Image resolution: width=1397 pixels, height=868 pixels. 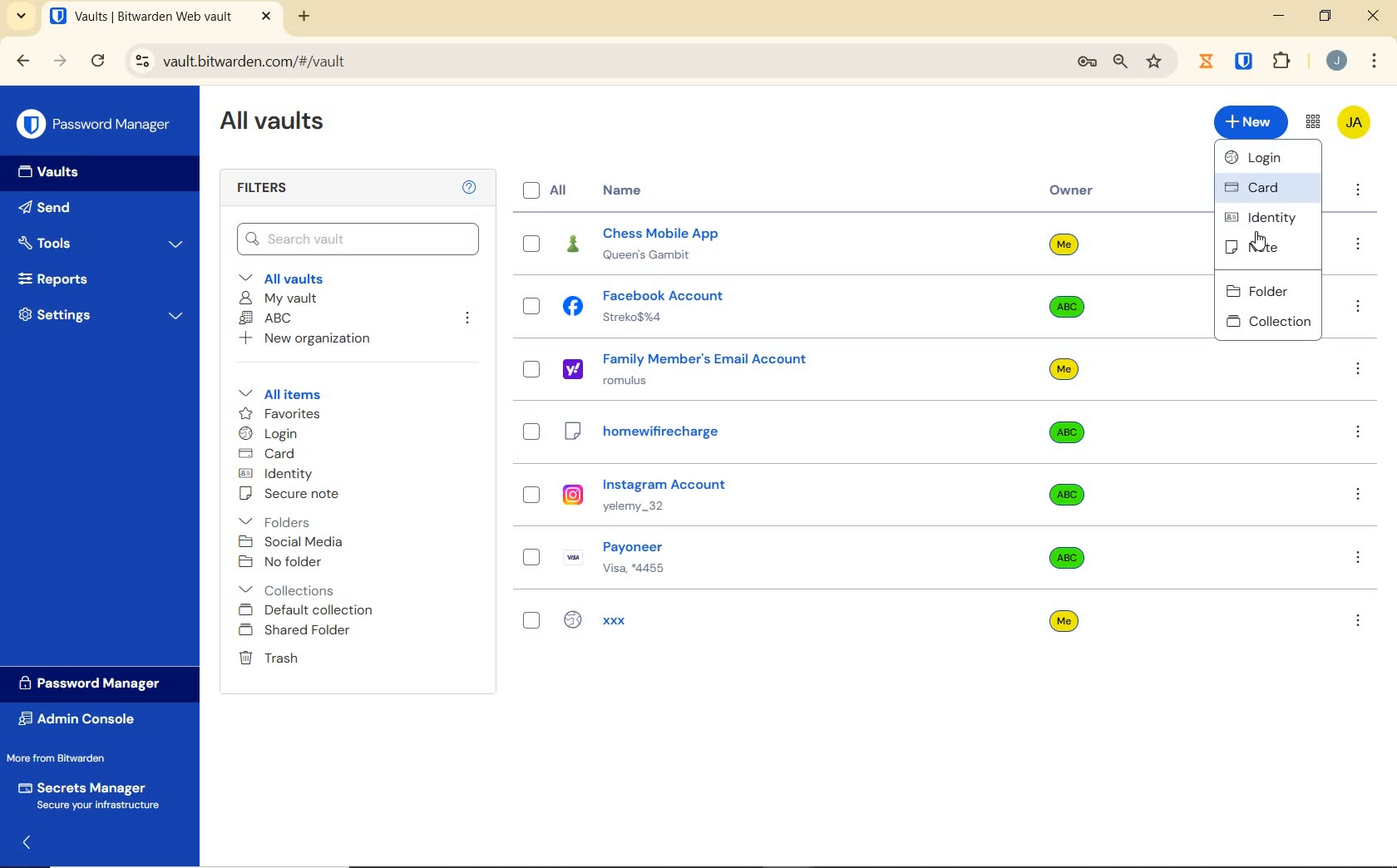 I want to click on Settings, so click(x=102, y=318).